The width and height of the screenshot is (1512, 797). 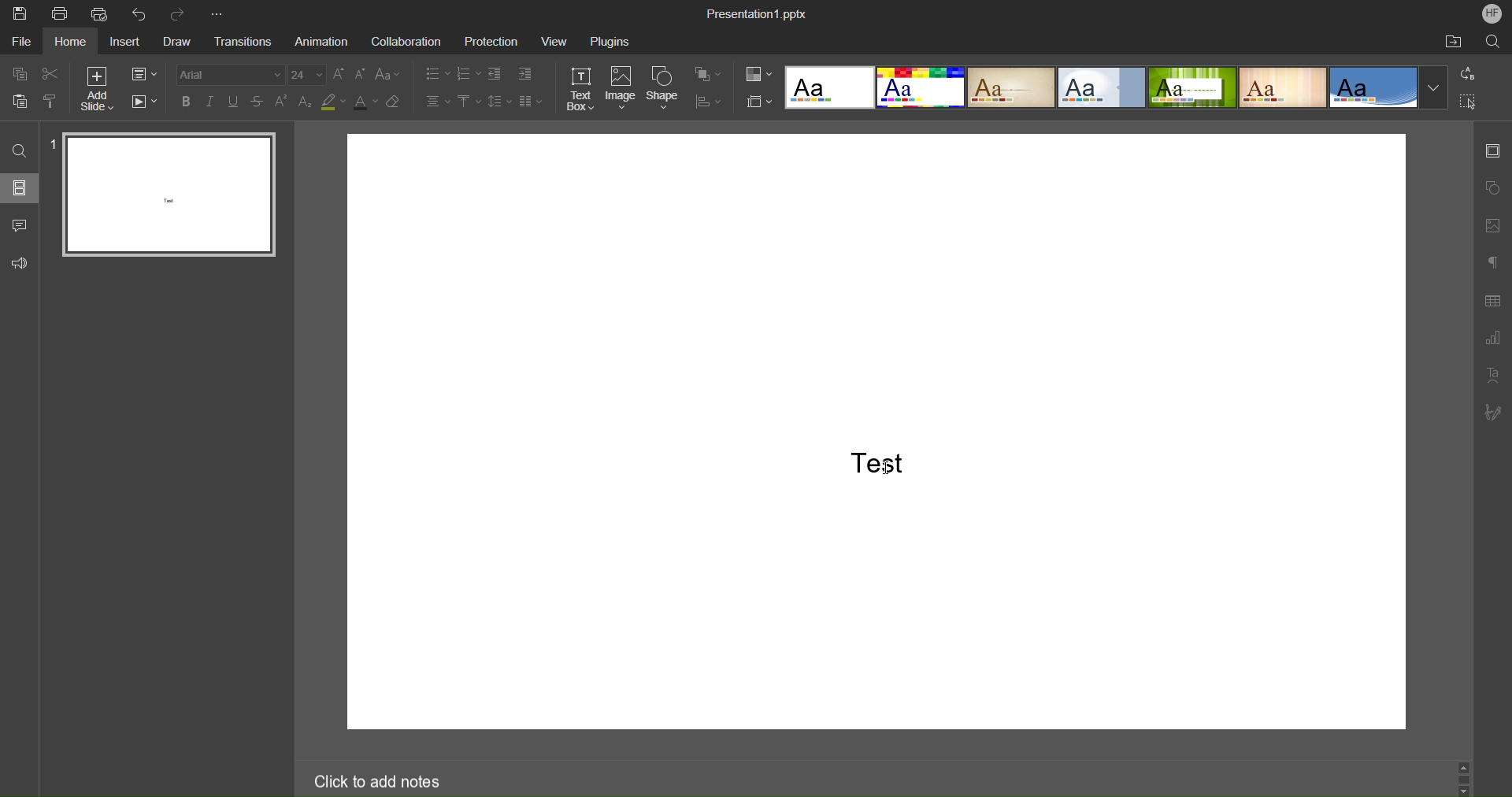 What do you see at coordinates (20, 225) in the screenshot?
I see `Comment` at bounding box center [20, 225].